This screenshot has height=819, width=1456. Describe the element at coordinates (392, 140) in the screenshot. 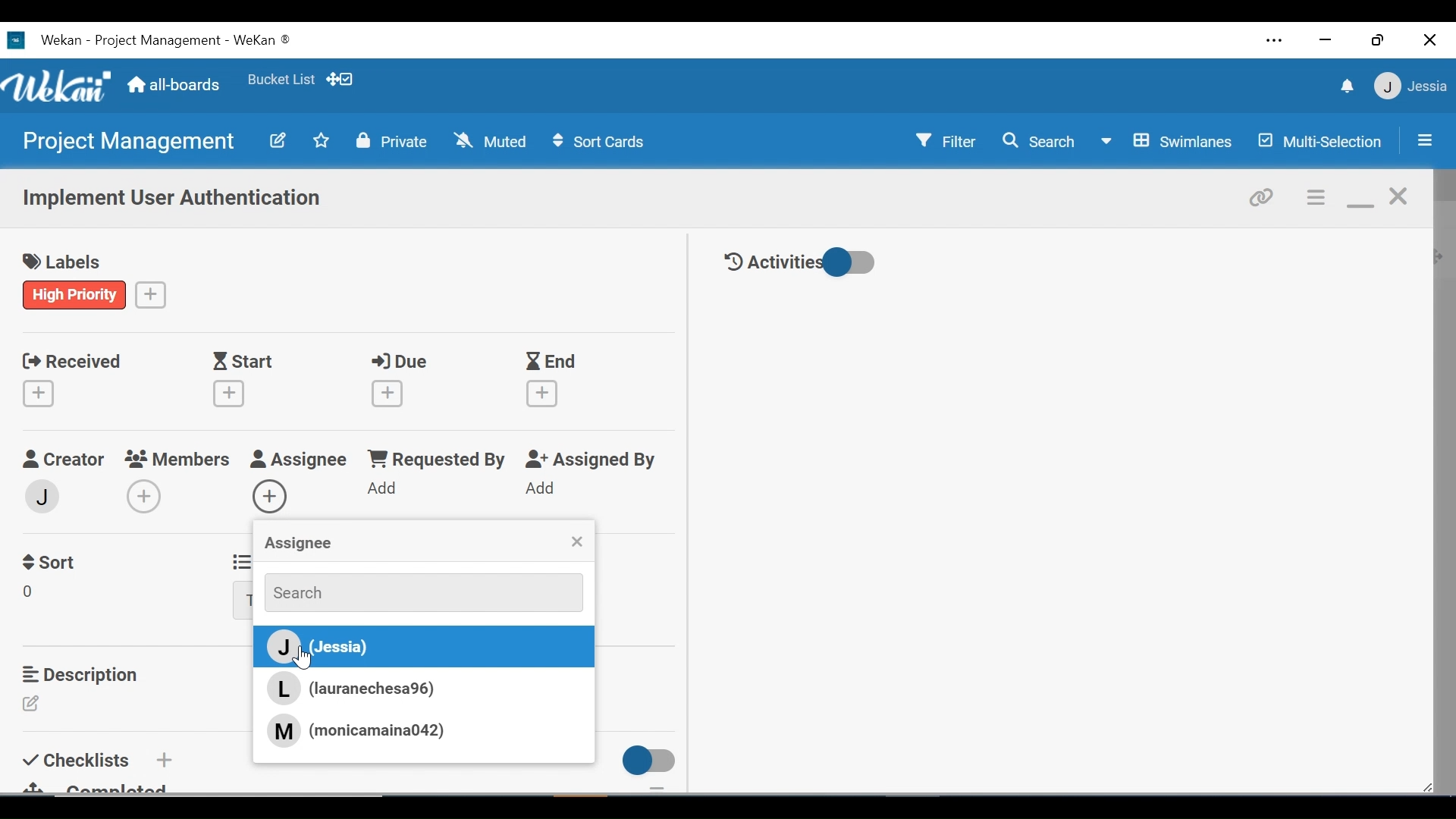

I see `Private` at that location.